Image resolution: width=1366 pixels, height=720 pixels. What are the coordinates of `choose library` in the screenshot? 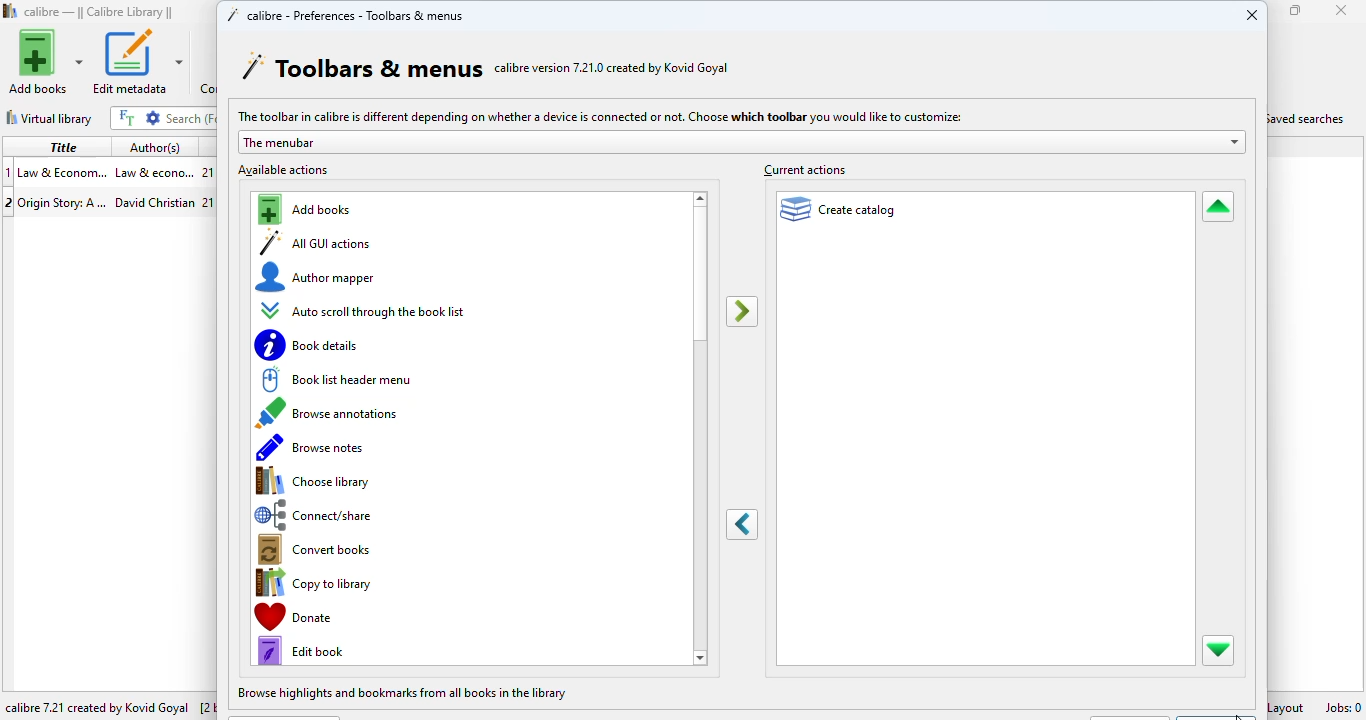 It's located at (315, 481).